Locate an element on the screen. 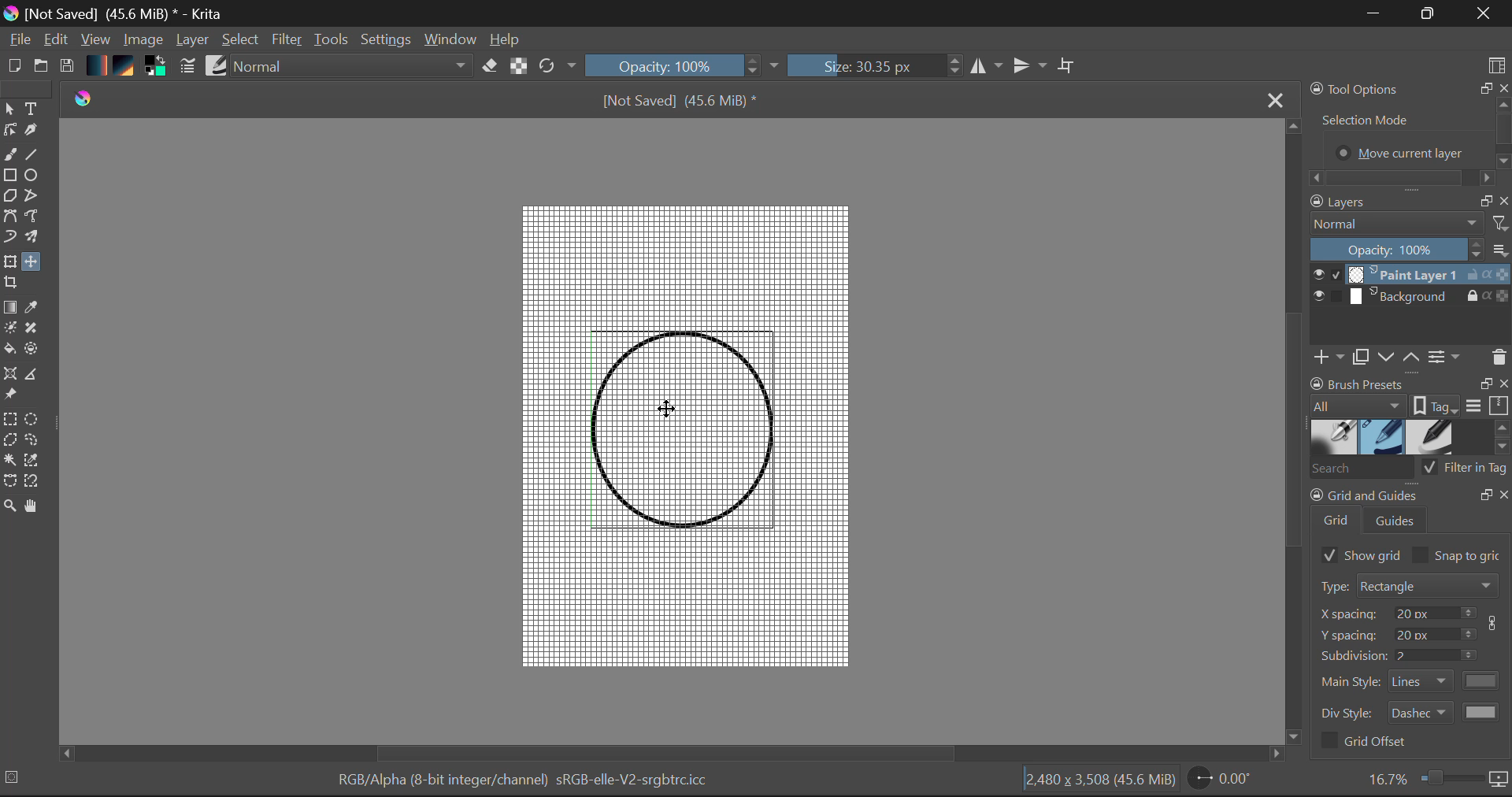  Zoom is located at coordinates (1436, 780).